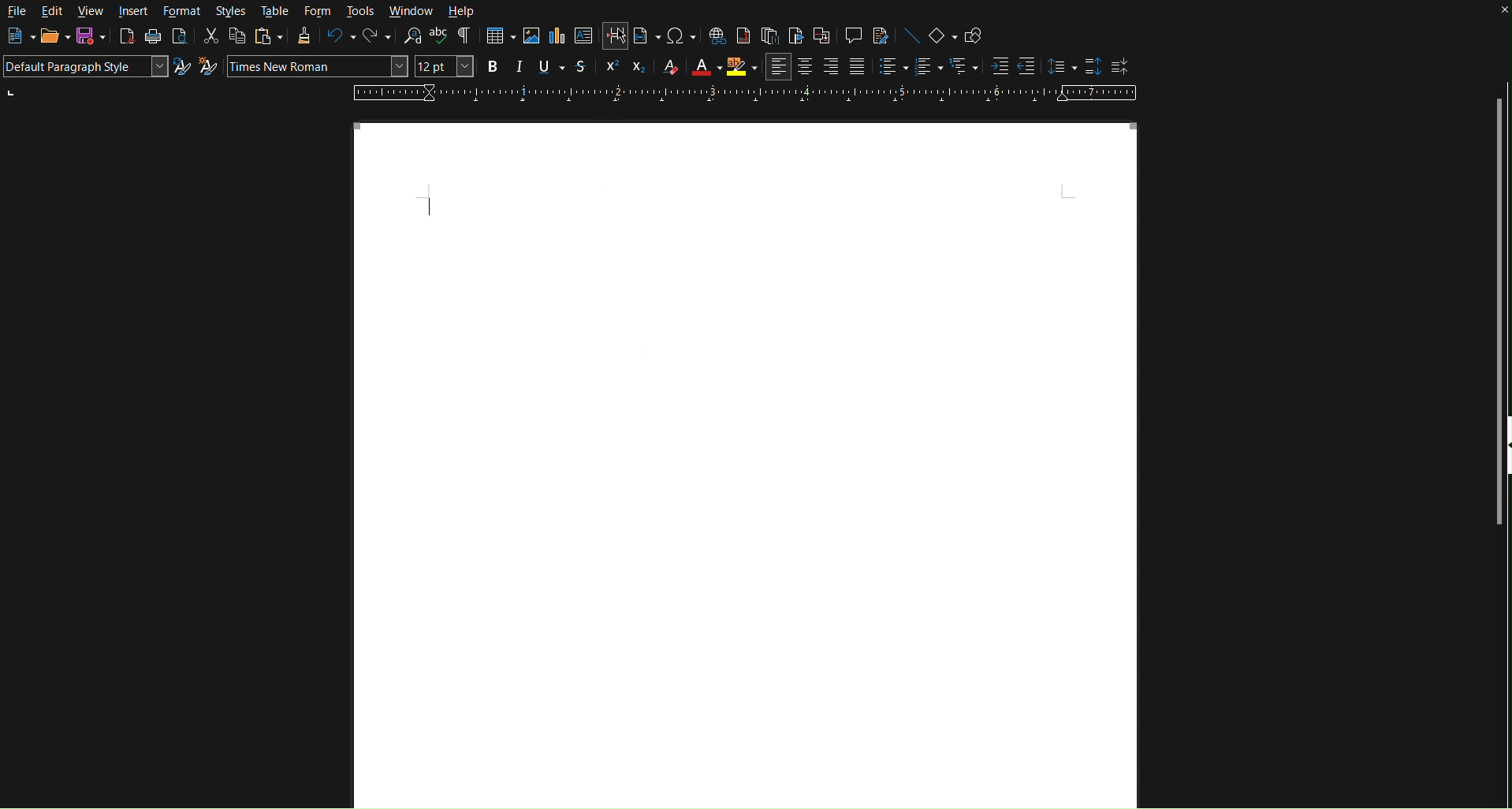 This screenshot has width=1512, height=809. What do you see at coordinates (882, 35) in the screenshot?
I see `Show Track Changes Functions` at bounding box center [882, 35].